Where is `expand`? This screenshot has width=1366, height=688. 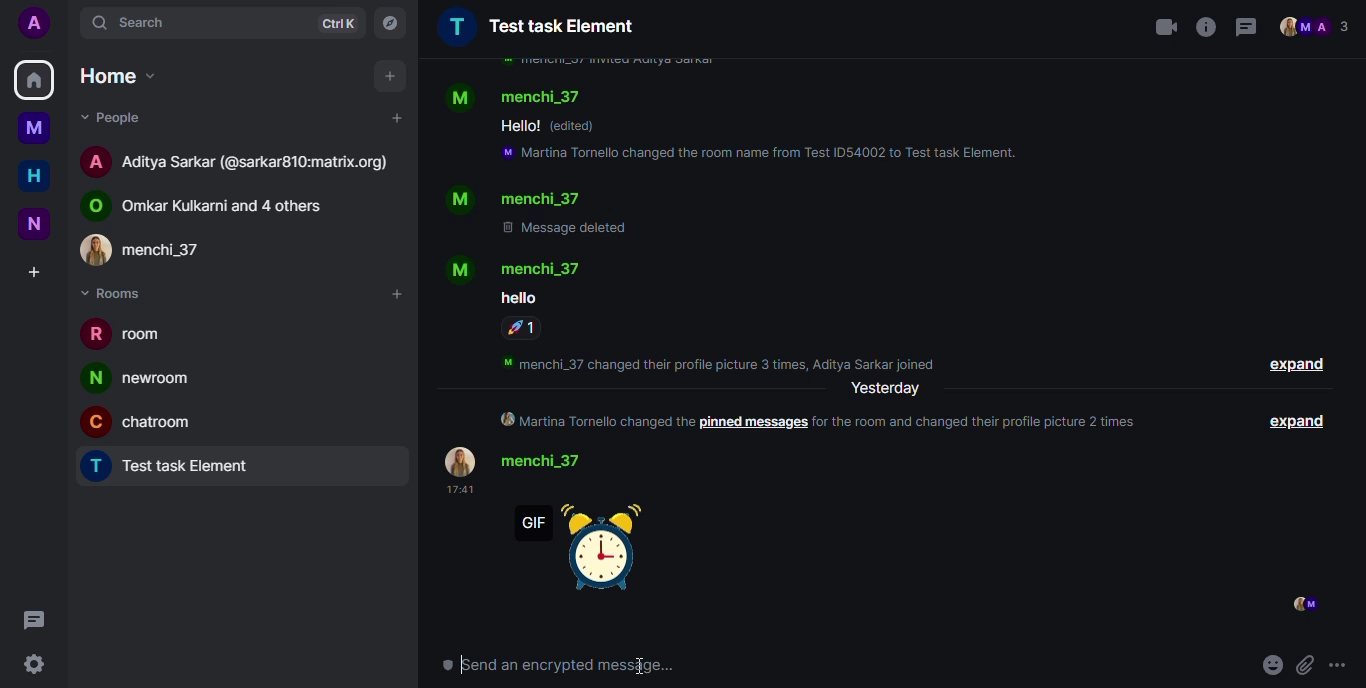
expand is located at coordinates (1296, 366).